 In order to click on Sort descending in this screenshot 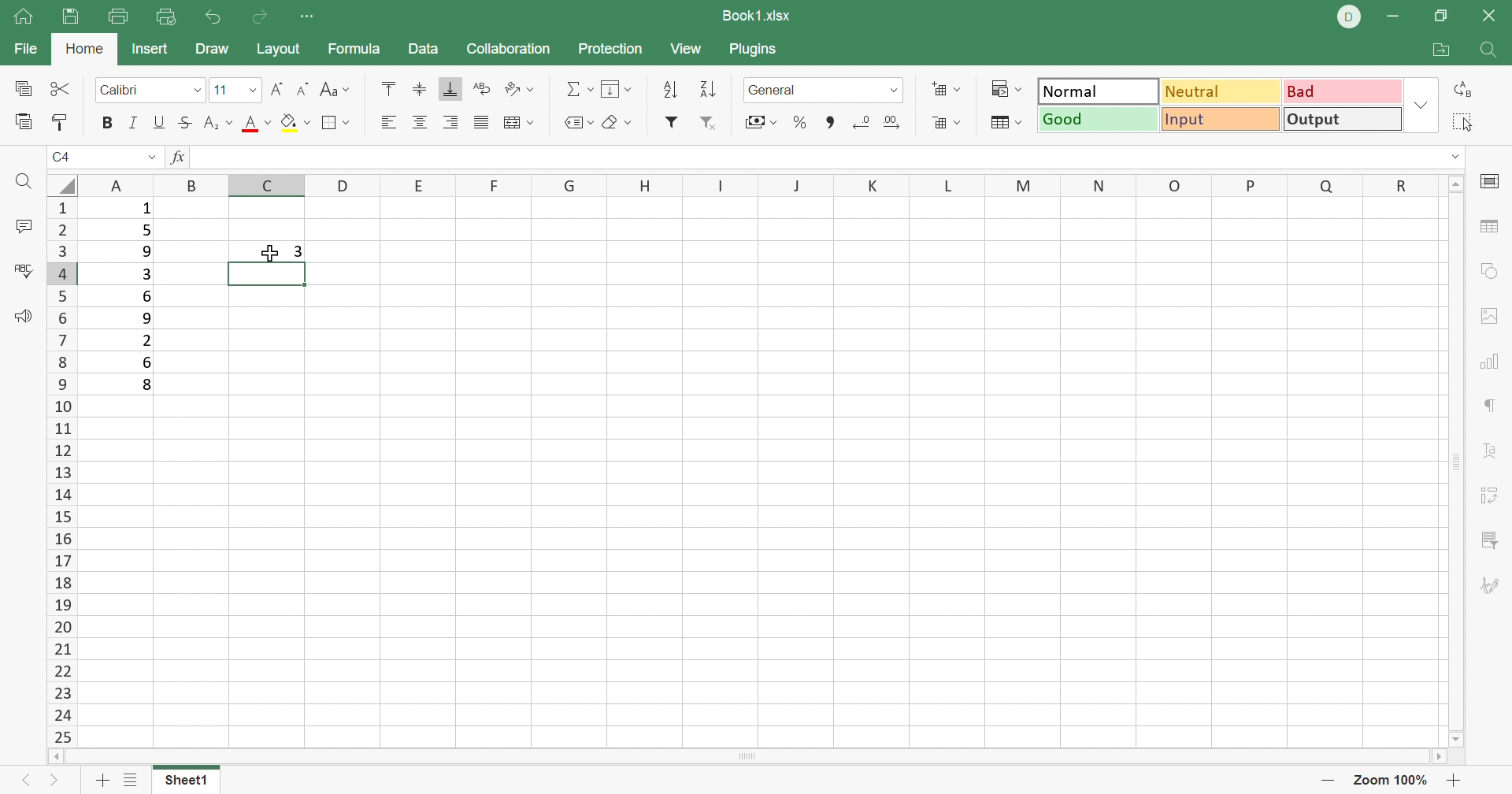, I will do `click(669, 90)`.